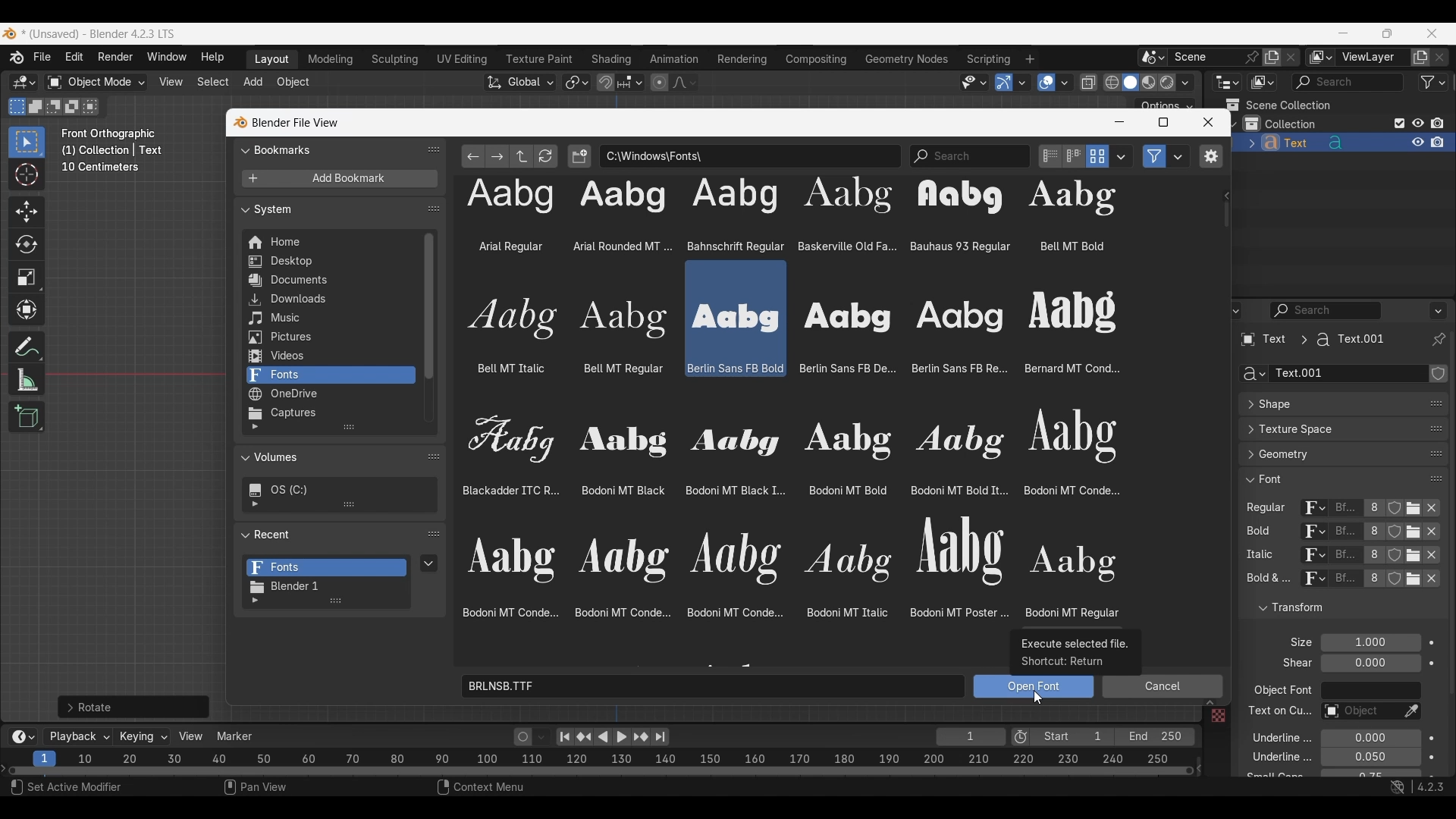  What do you see at coordinates (1370, 663) in the screenshot?
I see `Shear` at bounding box center [1370, 663].